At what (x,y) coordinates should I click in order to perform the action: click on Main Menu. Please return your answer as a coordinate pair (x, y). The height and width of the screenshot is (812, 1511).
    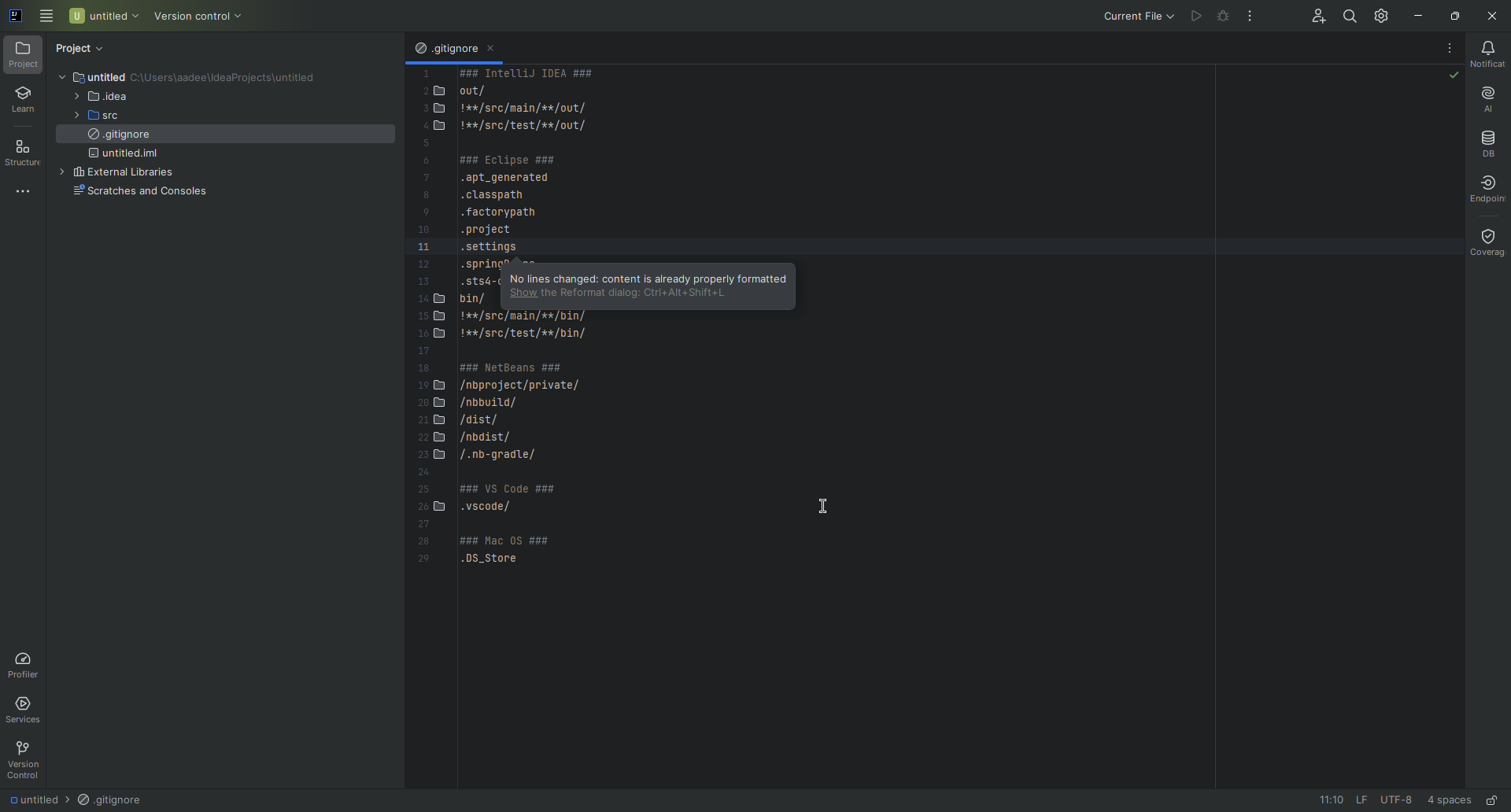
    Looking at the image, I should click on (47, 17).